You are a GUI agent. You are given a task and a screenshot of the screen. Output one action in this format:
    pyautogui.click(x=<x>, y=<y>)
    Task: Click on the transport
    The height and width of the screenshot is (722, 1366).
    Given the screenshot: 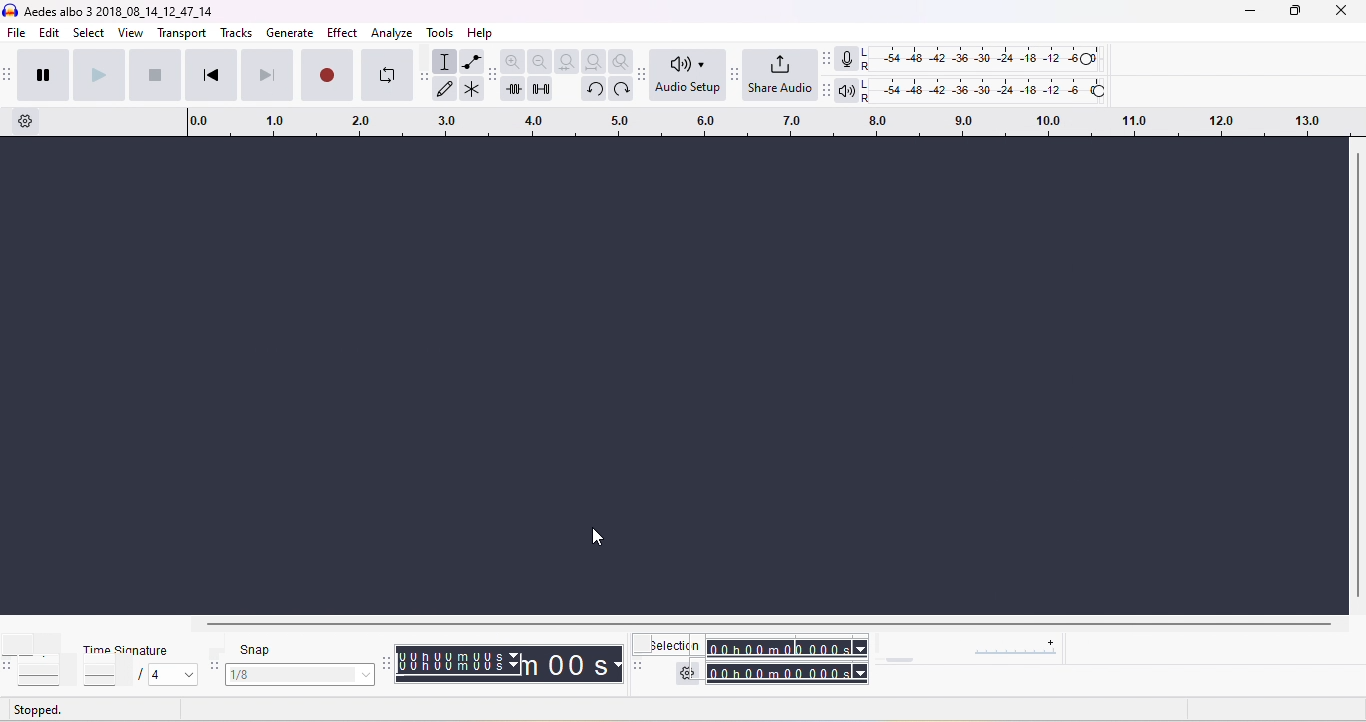 What is the action you would take?
    pyautogui.click(x=183, y=34)
    